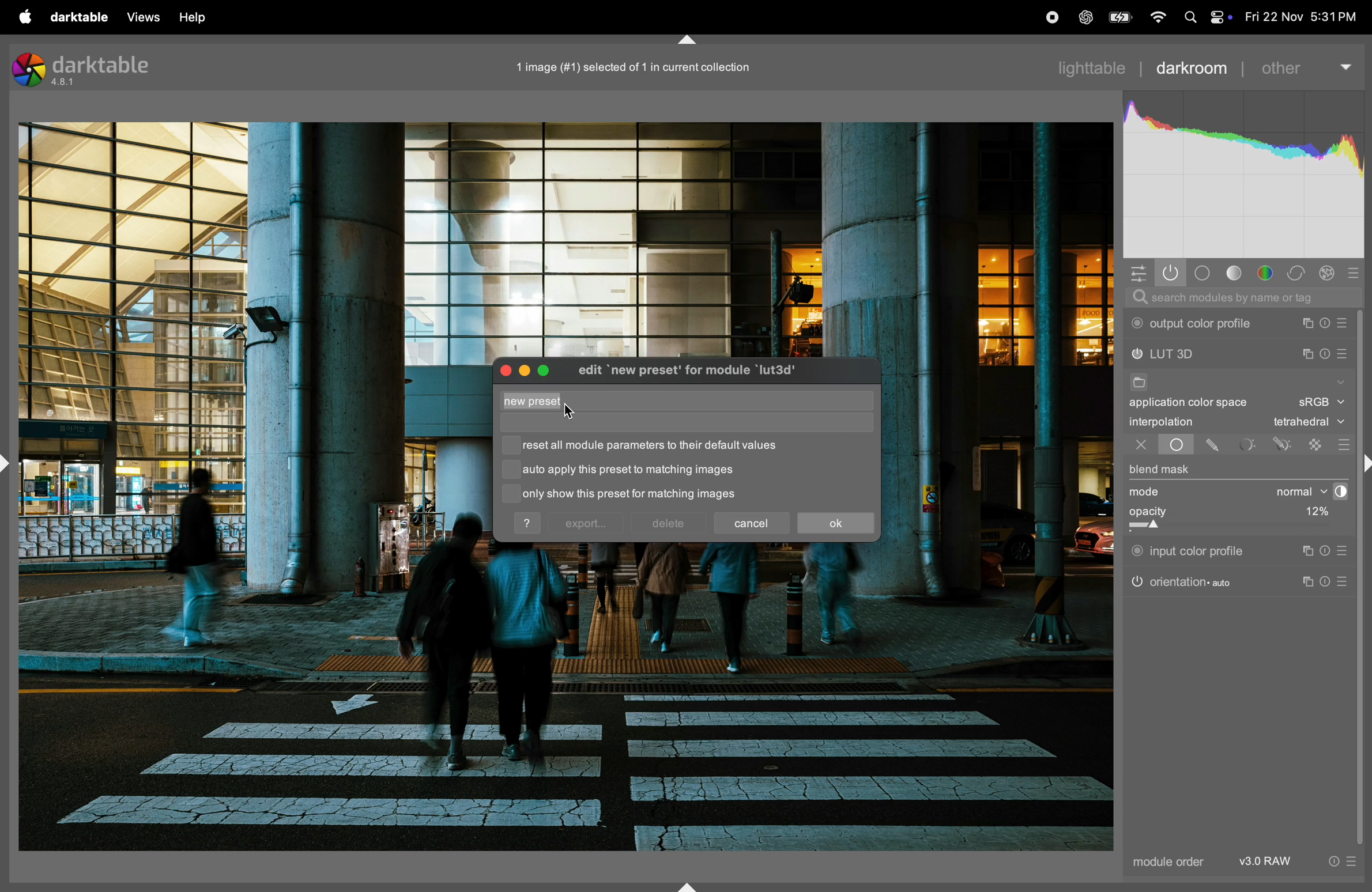 The width and height of the screenshot is (1372, 892). What do you see at coordinates (1346, 582) in the screenshot?
I see `presets` at bounding box center [1346, 582].